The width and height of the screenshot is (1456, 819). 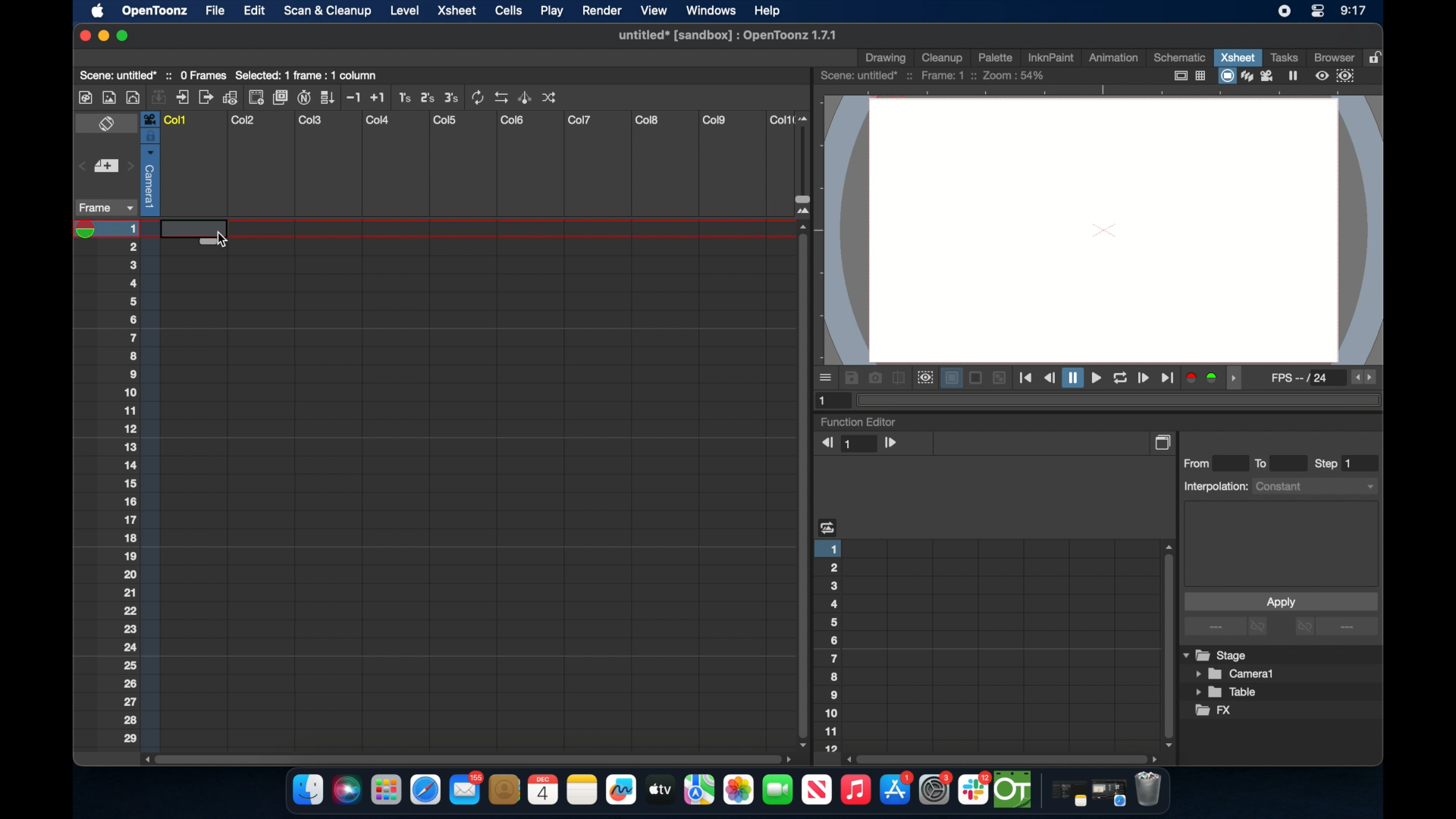 What do you see at coordinates (153, 11) in the screenshot?
I see `opnetoonz` at bounding box center [153, 11].